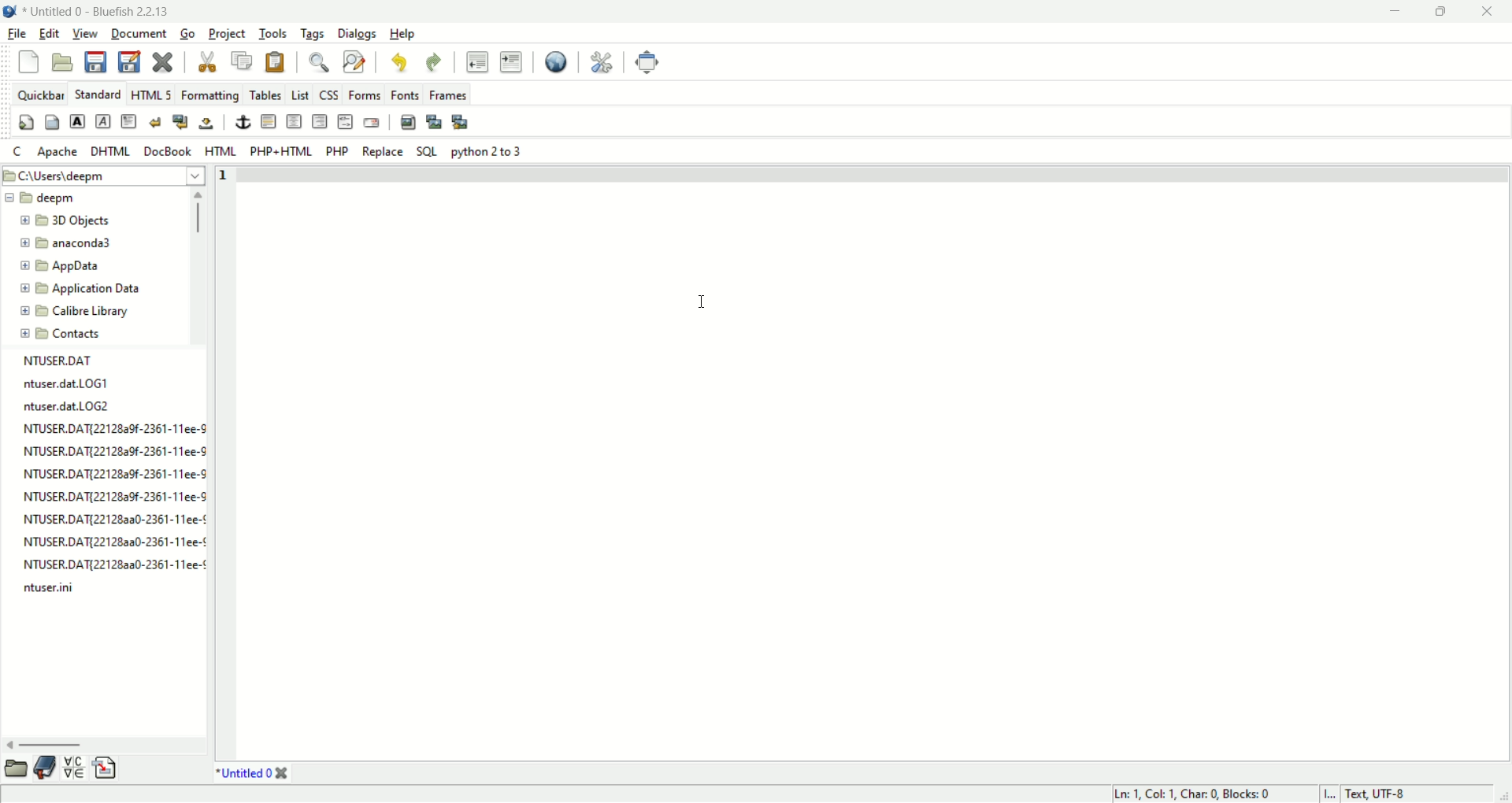 Image resolution: width=1512 pixels, height=803 pixels. I want to click on paragraph, so click(128, 121).